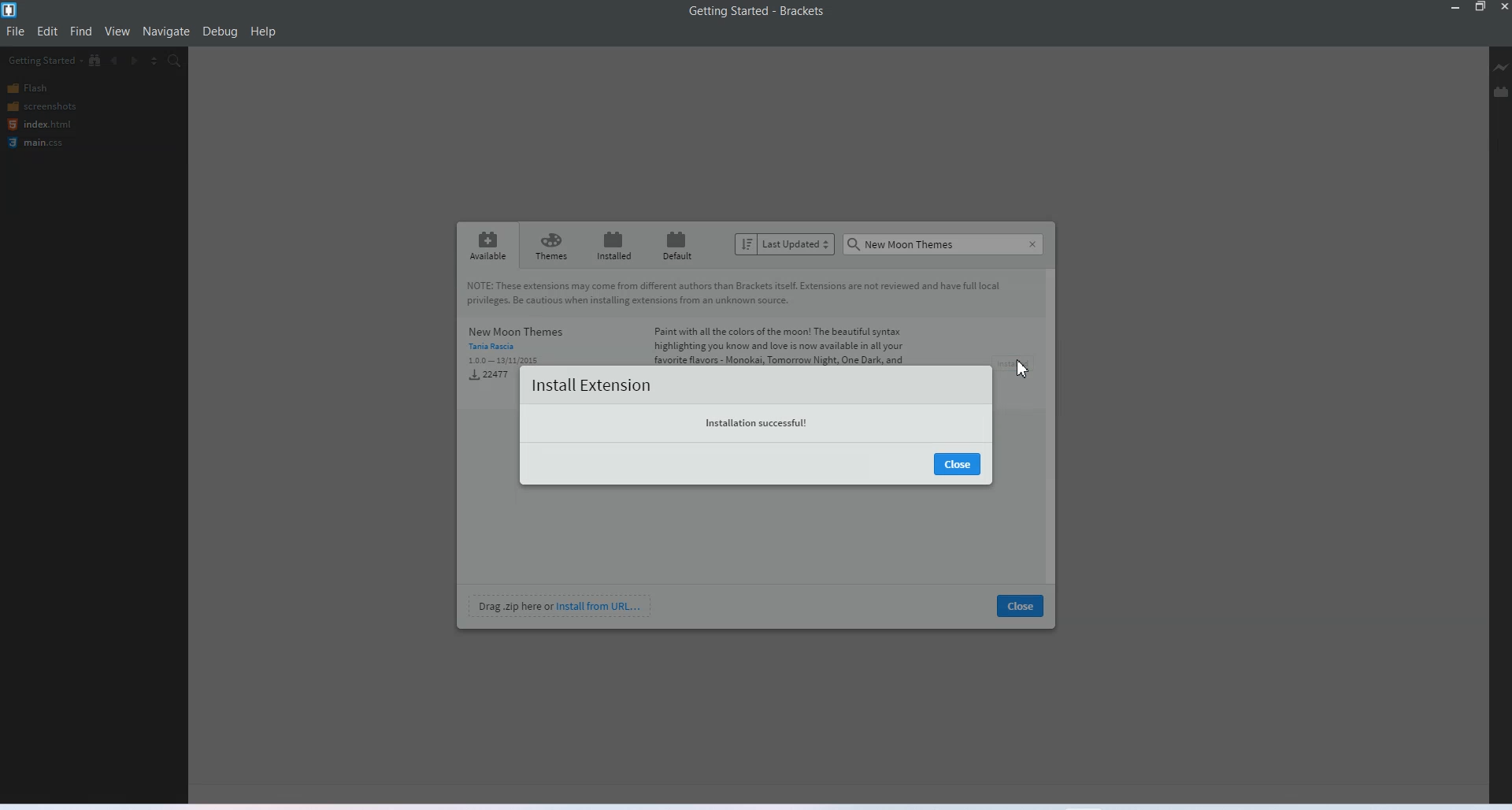 This screenshot has width=1512, height=810. Describe the element at coordinates (959, 463) in the screenshot. I see `Close` at that location.